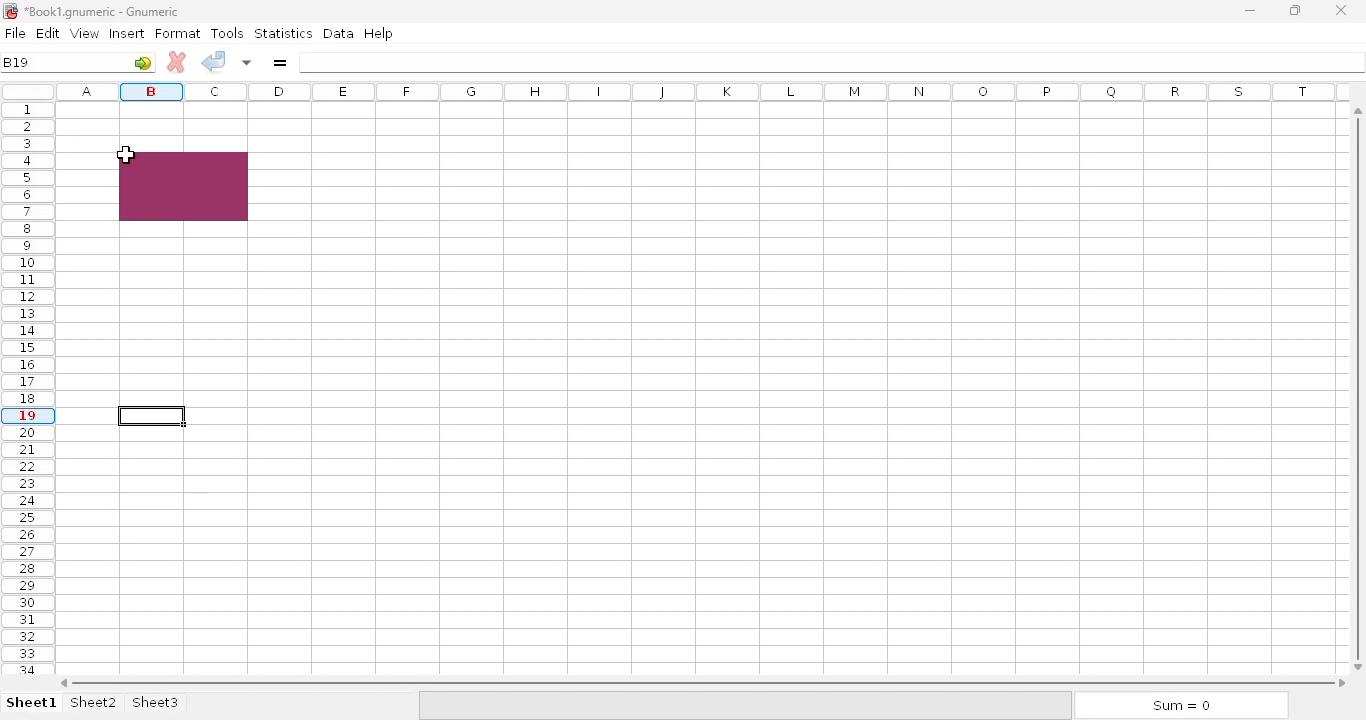  Describe the element at coordinates (126, 154) in the screenshot. I see `cursor` at that location.